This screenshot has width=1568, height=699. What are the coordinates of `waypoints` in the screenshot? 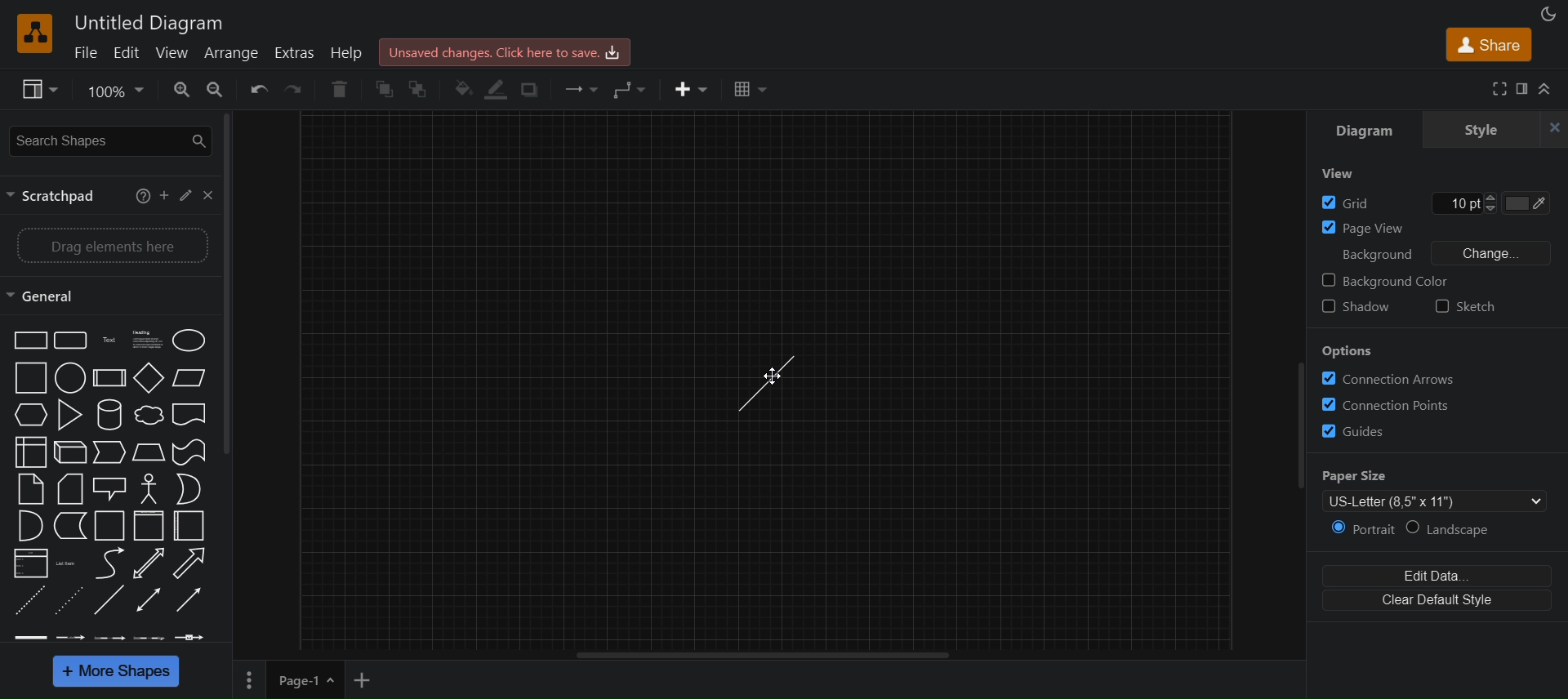 It's located at (633, 91).